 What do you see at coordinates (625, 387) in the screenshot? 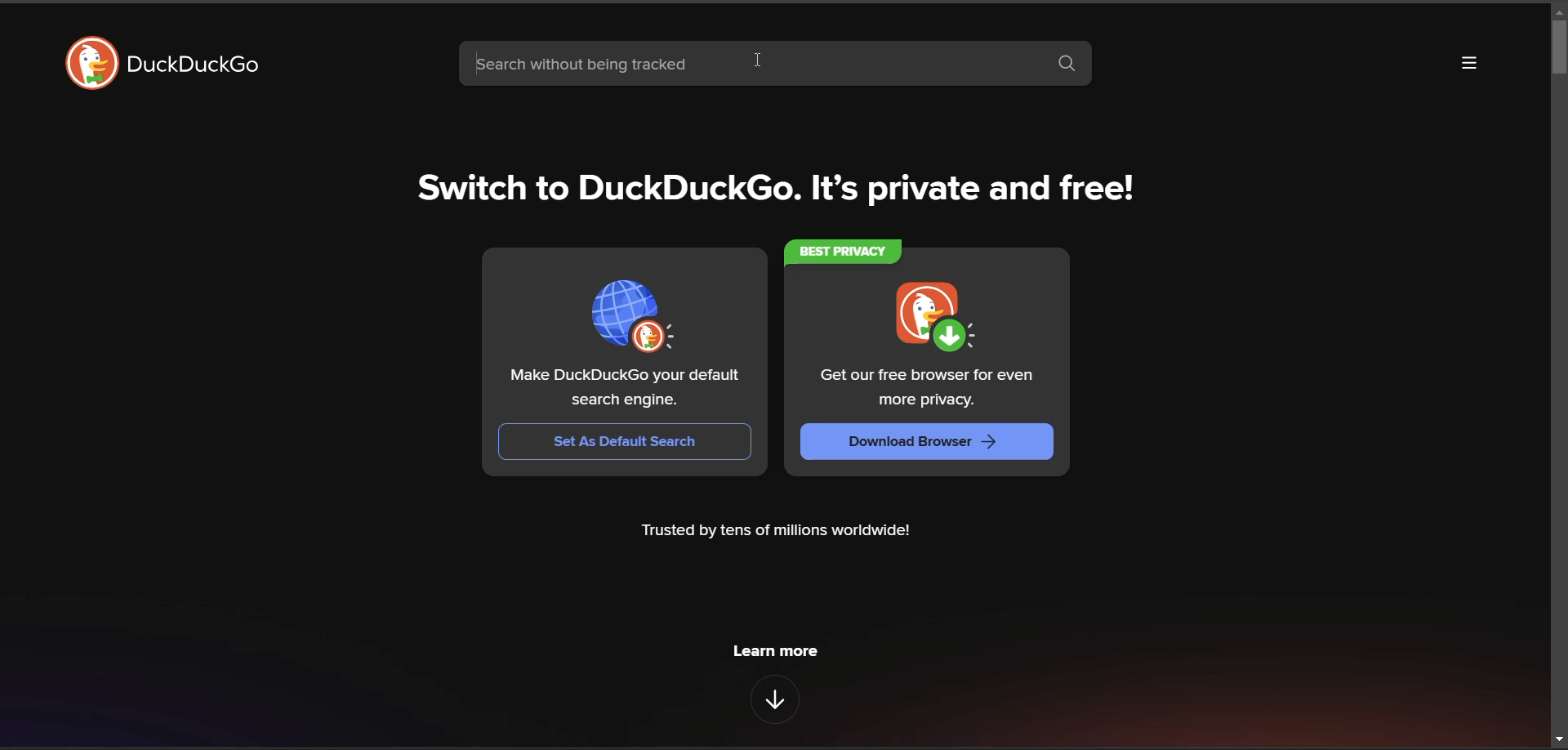
I see `Make DuckDuckGo your default search engine.` at bounding box center [625, 387].